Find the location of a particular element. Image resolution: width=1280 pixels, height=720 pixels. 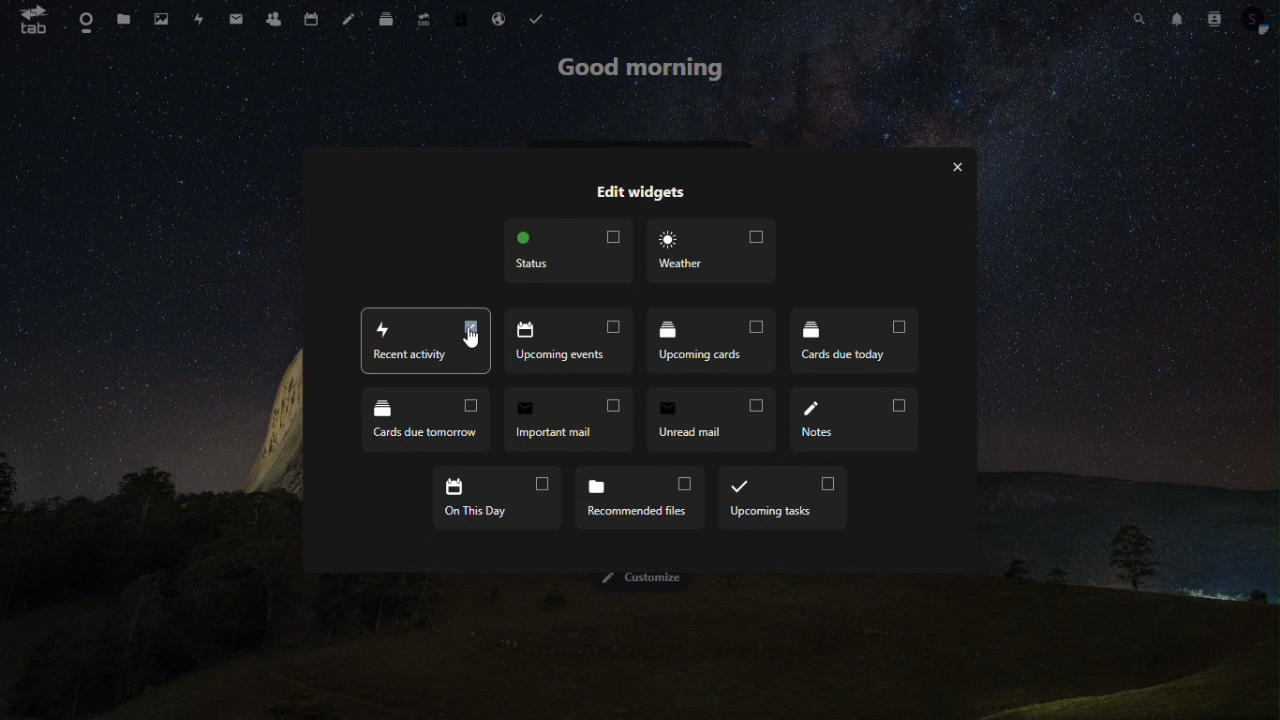

important mail is located at coordinates (573, 418).